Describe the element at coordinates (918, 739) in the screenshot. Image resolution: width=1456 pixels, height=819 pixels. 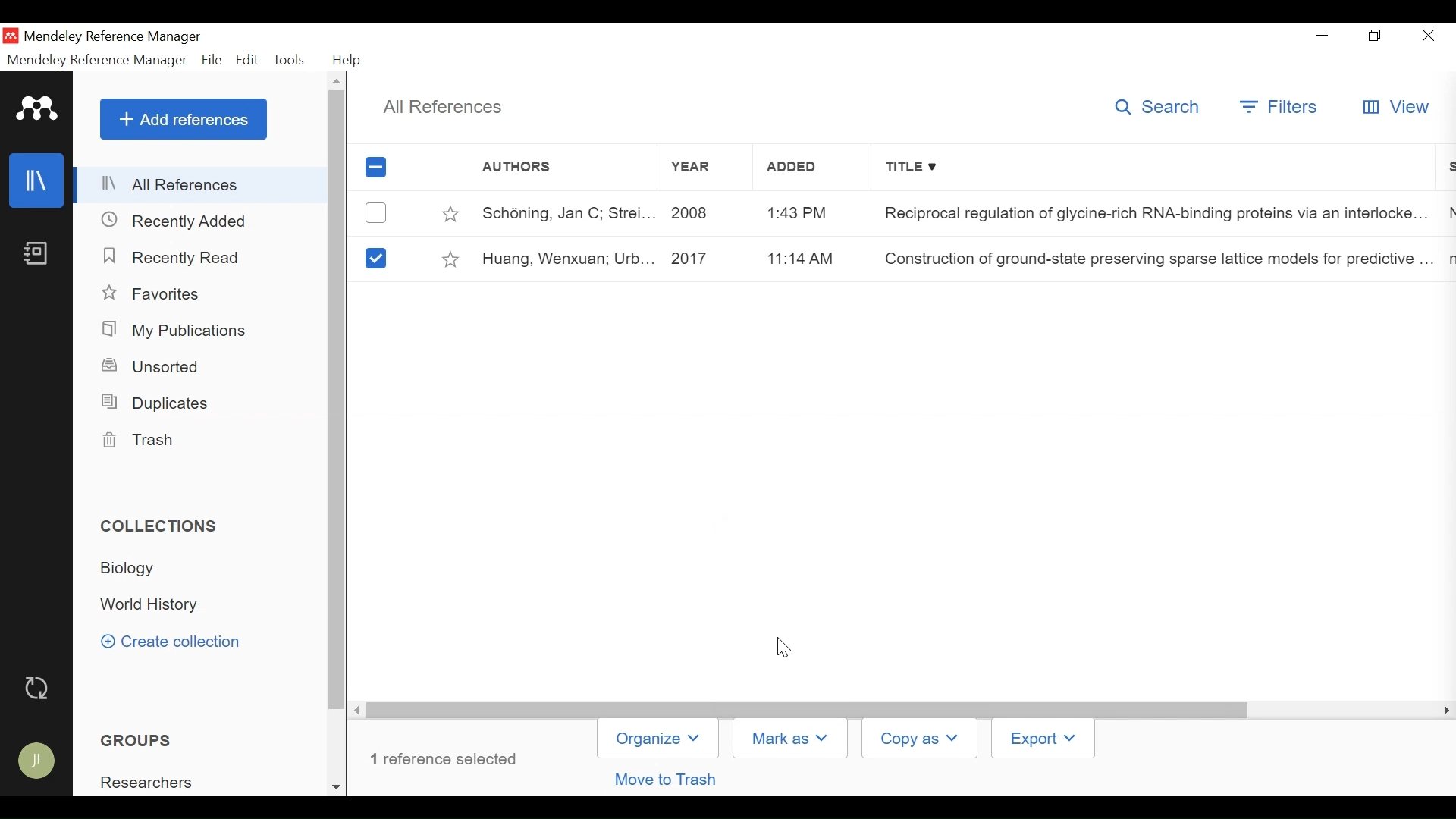
I see `Copy As` at that location.